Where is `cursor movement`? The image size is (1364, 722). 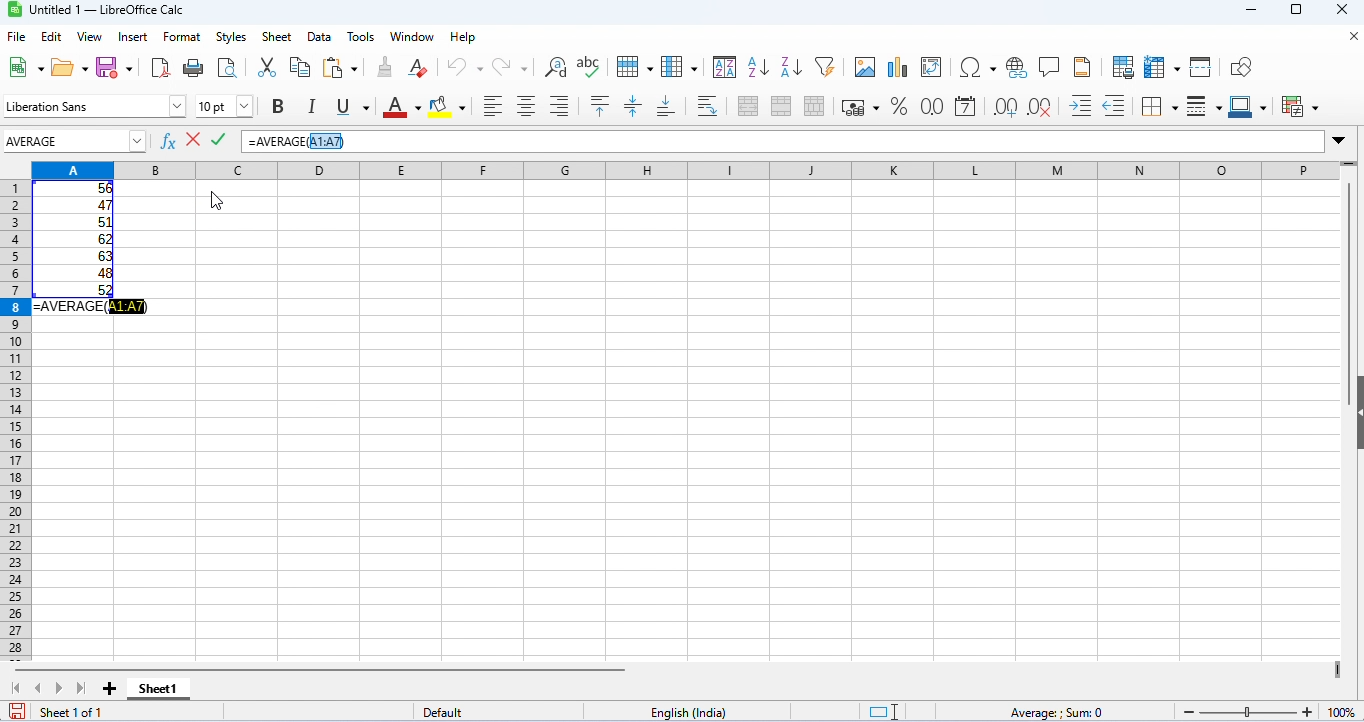
cursor movement is located at coordinates (218, 192).